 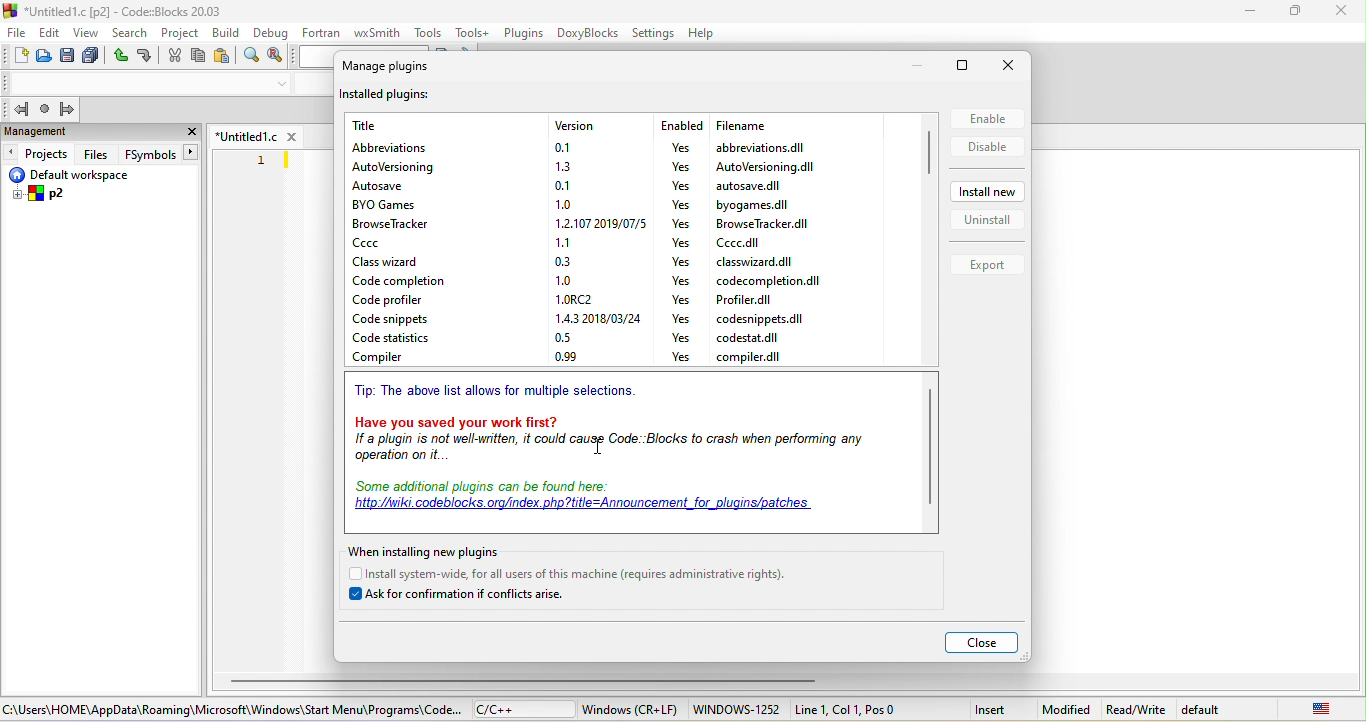 I want to click on line number, so click(x=261, y=159).